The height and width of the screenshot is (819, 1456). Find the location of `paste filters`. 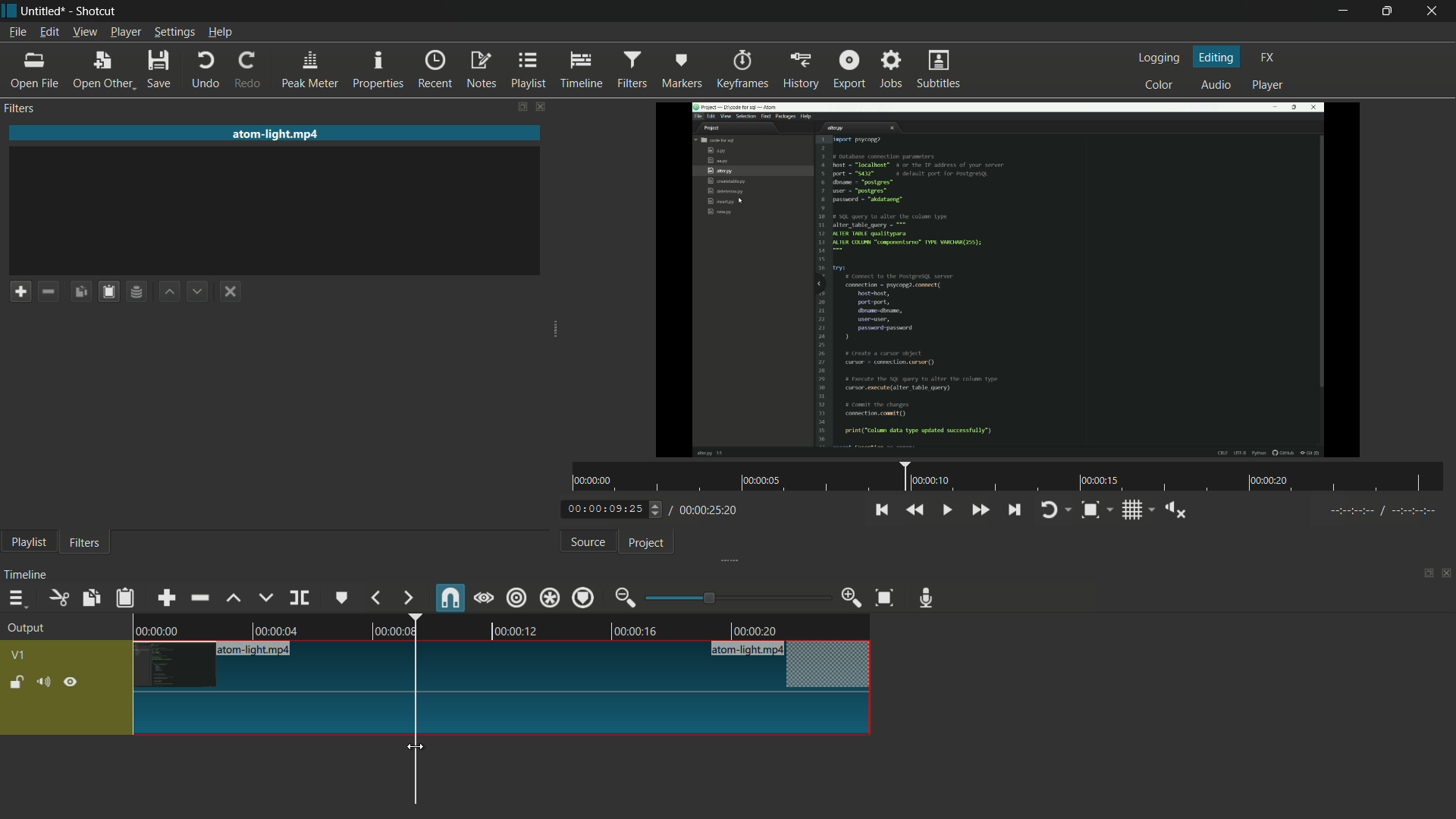

paste filters is located at coordinates (127, 598).